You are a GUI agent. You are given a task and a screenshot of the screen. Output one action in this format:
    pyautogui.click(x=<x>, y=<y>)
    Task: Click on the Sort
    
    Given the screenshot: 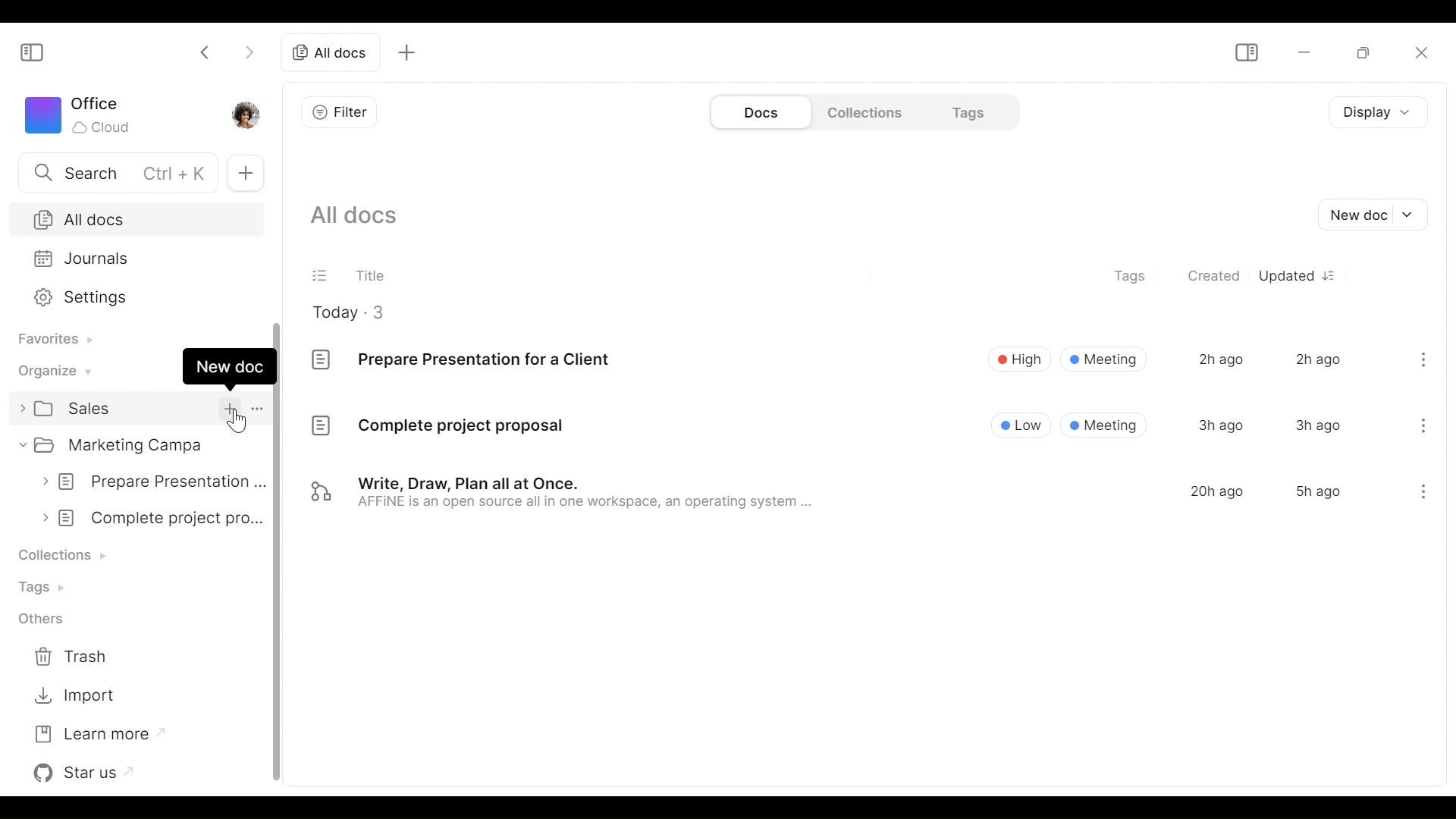 What is the action you would take?
    pyautogui.click(x=1334, y=275)
    